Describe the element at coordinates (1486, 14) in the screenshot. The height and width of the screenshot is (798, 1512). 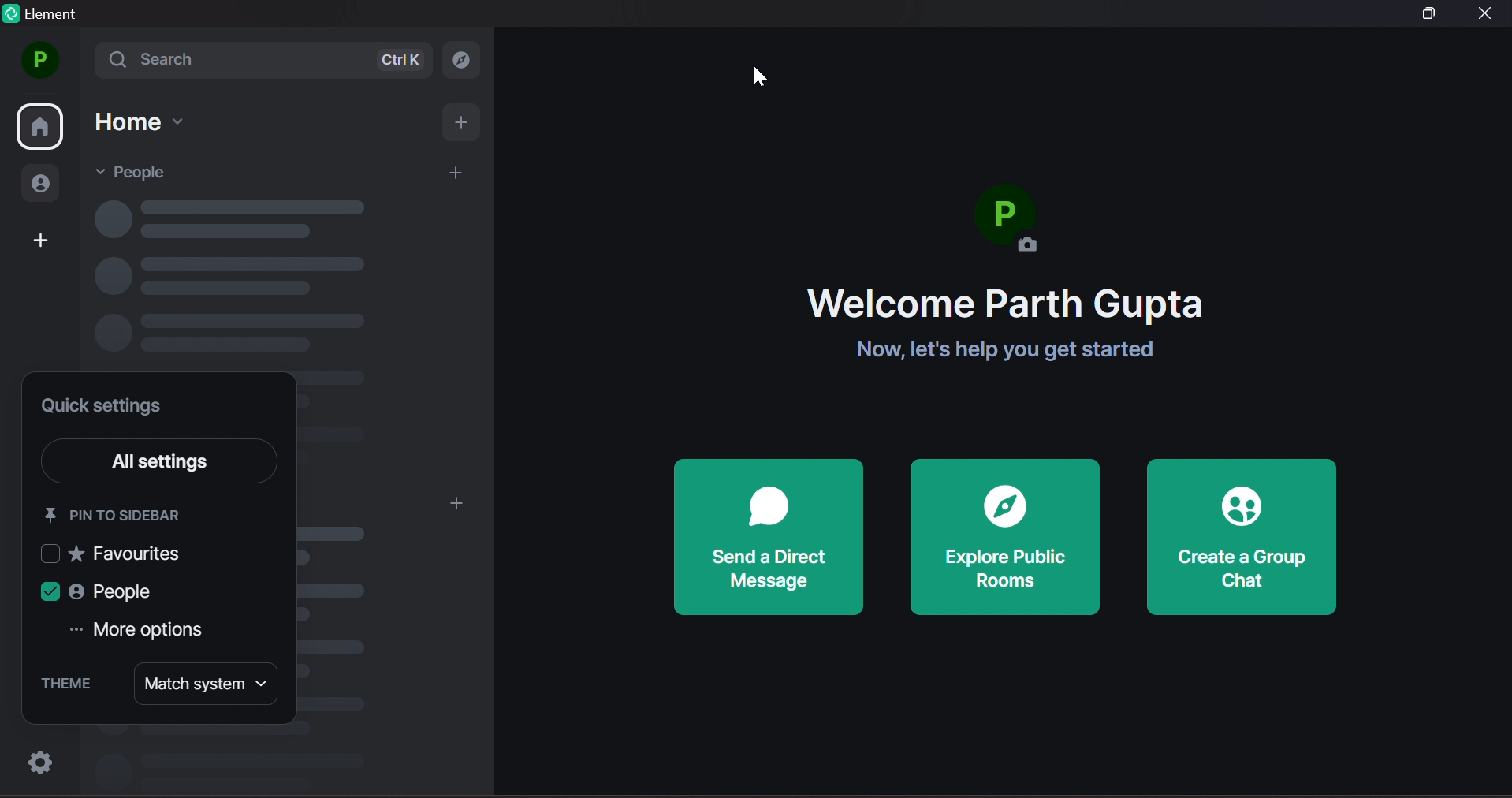
I see `close` at that location.